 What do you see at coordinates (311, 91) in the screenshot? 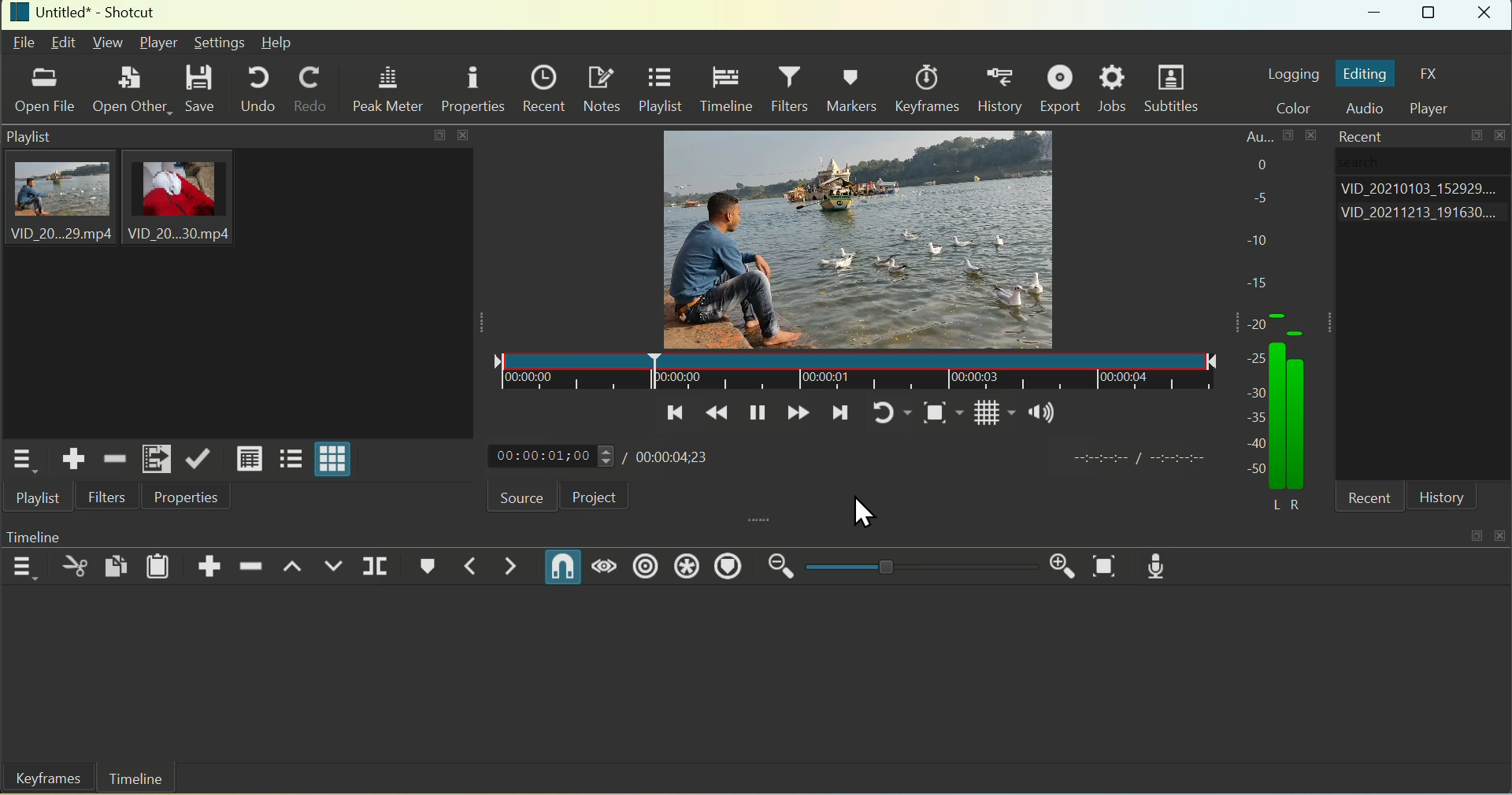
I see `Redo` at bounding box center [311, 91].